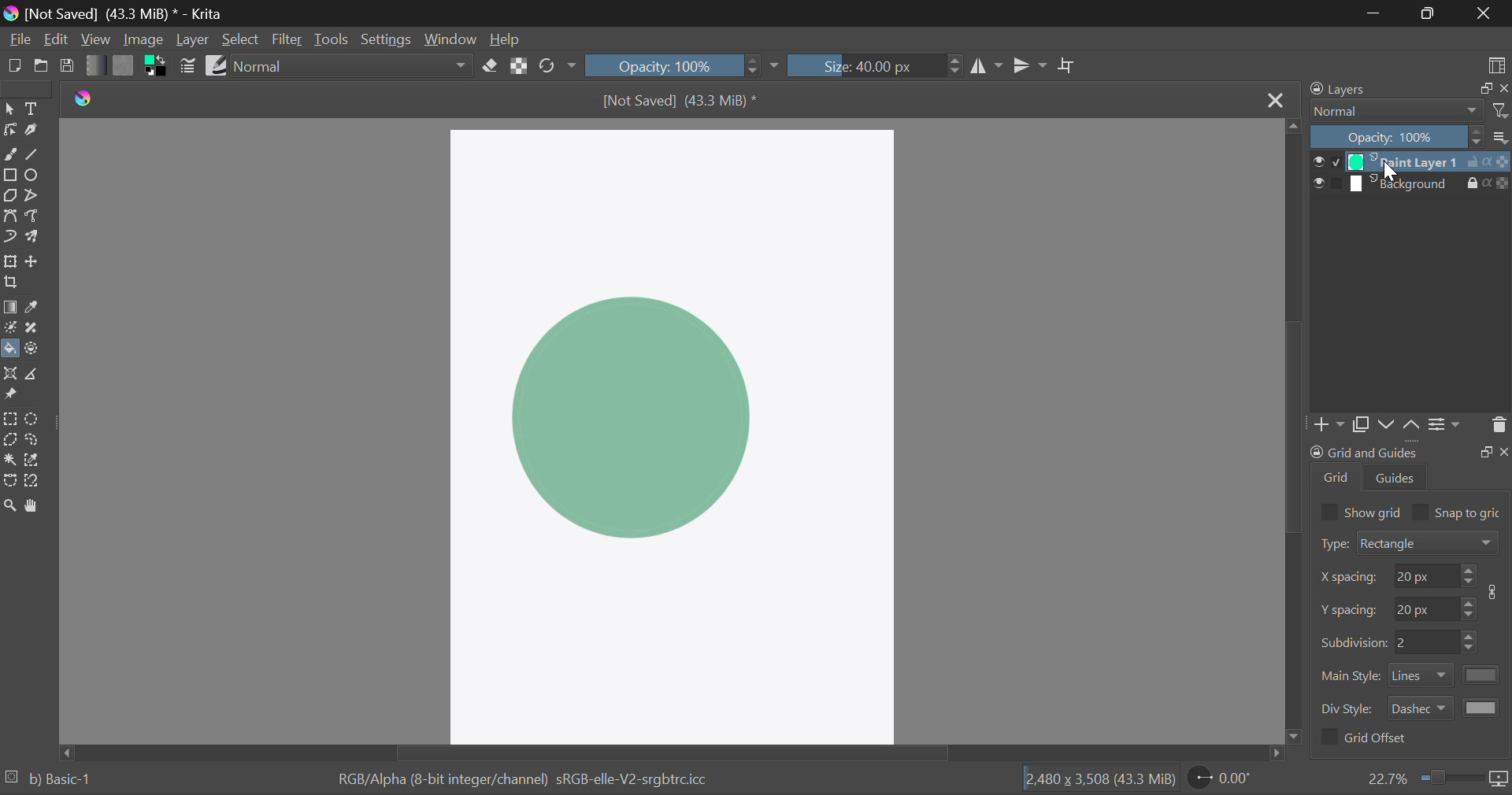  What do you see at coordinates (1068, 66) in the screenshot?
I see `Crop` at bounding box center [1068, 66].